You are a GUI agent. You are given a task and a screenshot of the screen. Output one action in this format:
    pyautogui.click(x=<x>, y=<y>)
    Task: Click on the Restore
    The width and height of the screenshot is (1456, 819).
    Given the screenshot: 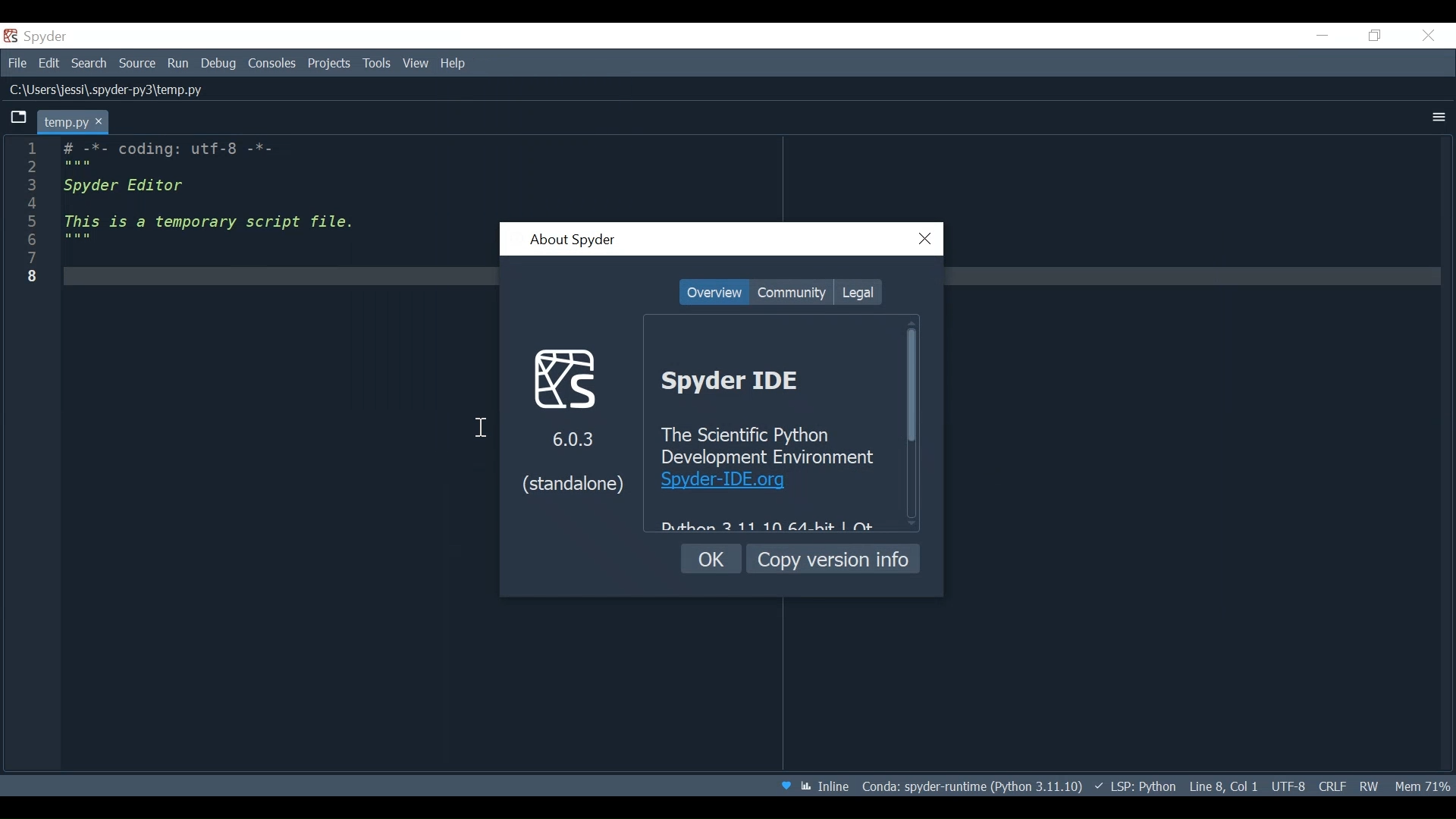 What is the action you would take?
    pyautogui.click(x=1376, y=36)
    